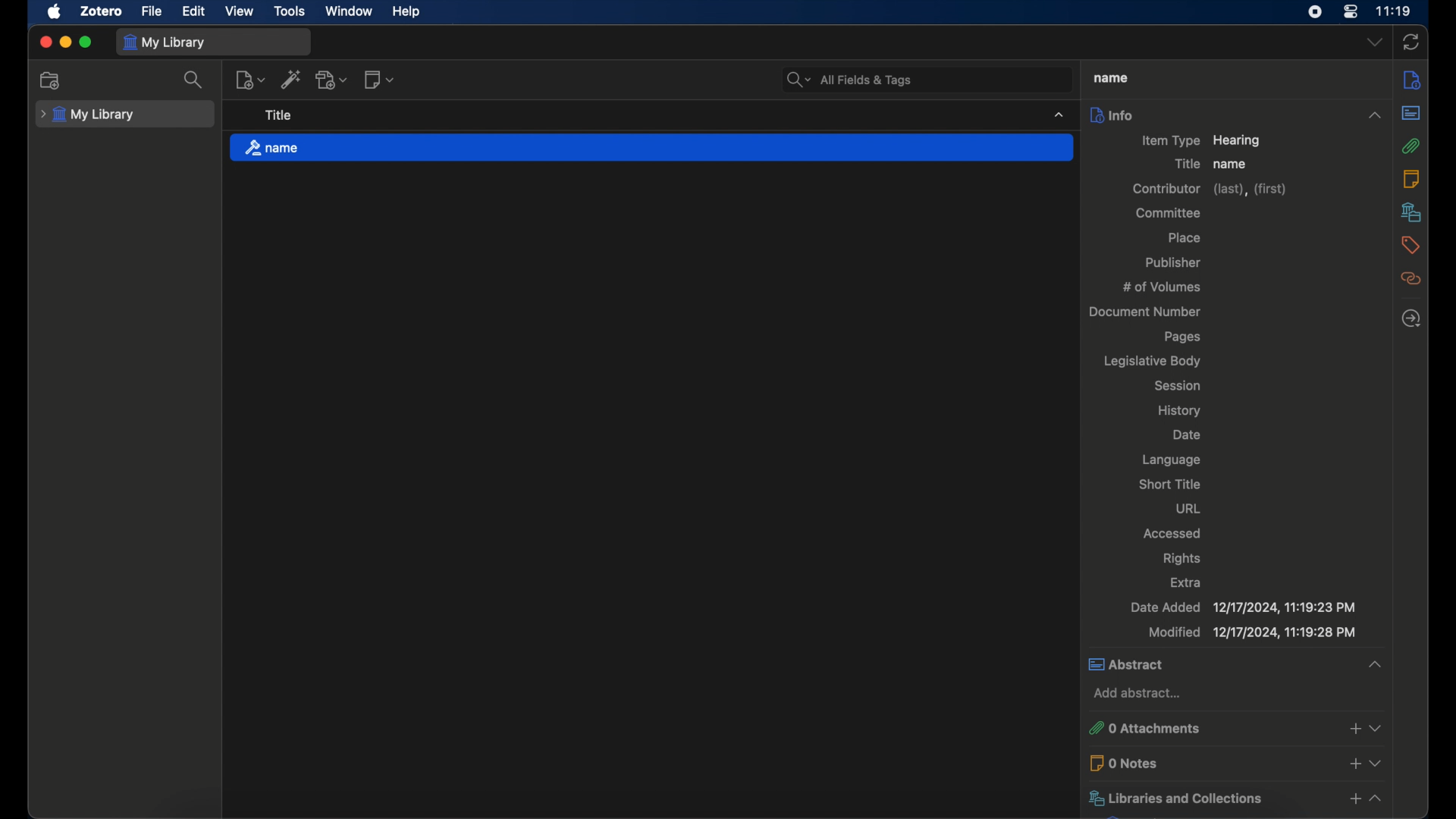 This screenshot has width=1456, height=819. Describe the element at coordinates (1392, 11) in the screenshot. I see `time` at that location.